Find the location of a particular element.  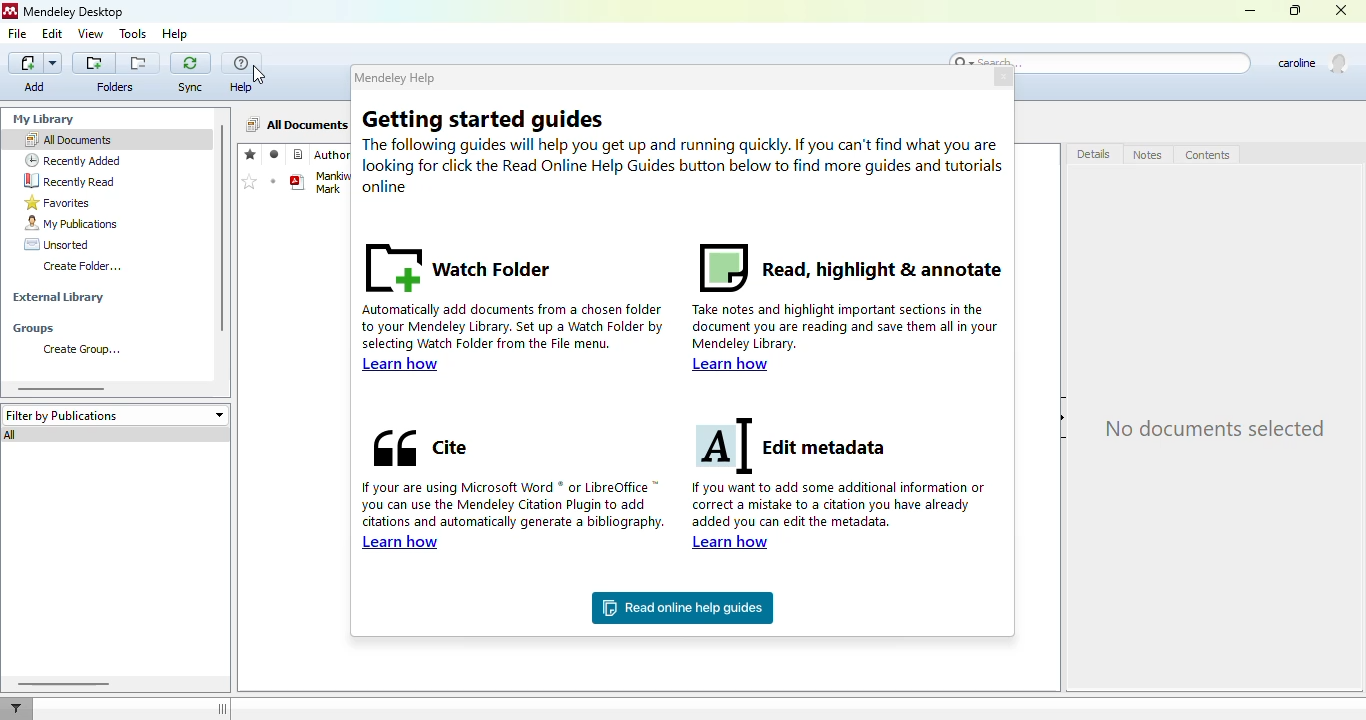

if you are using Microsoft word or LibreOffice you can use the mendeley citation plugin to add citations and automatically generate a bibliography. is located at coordinates (513, 503).